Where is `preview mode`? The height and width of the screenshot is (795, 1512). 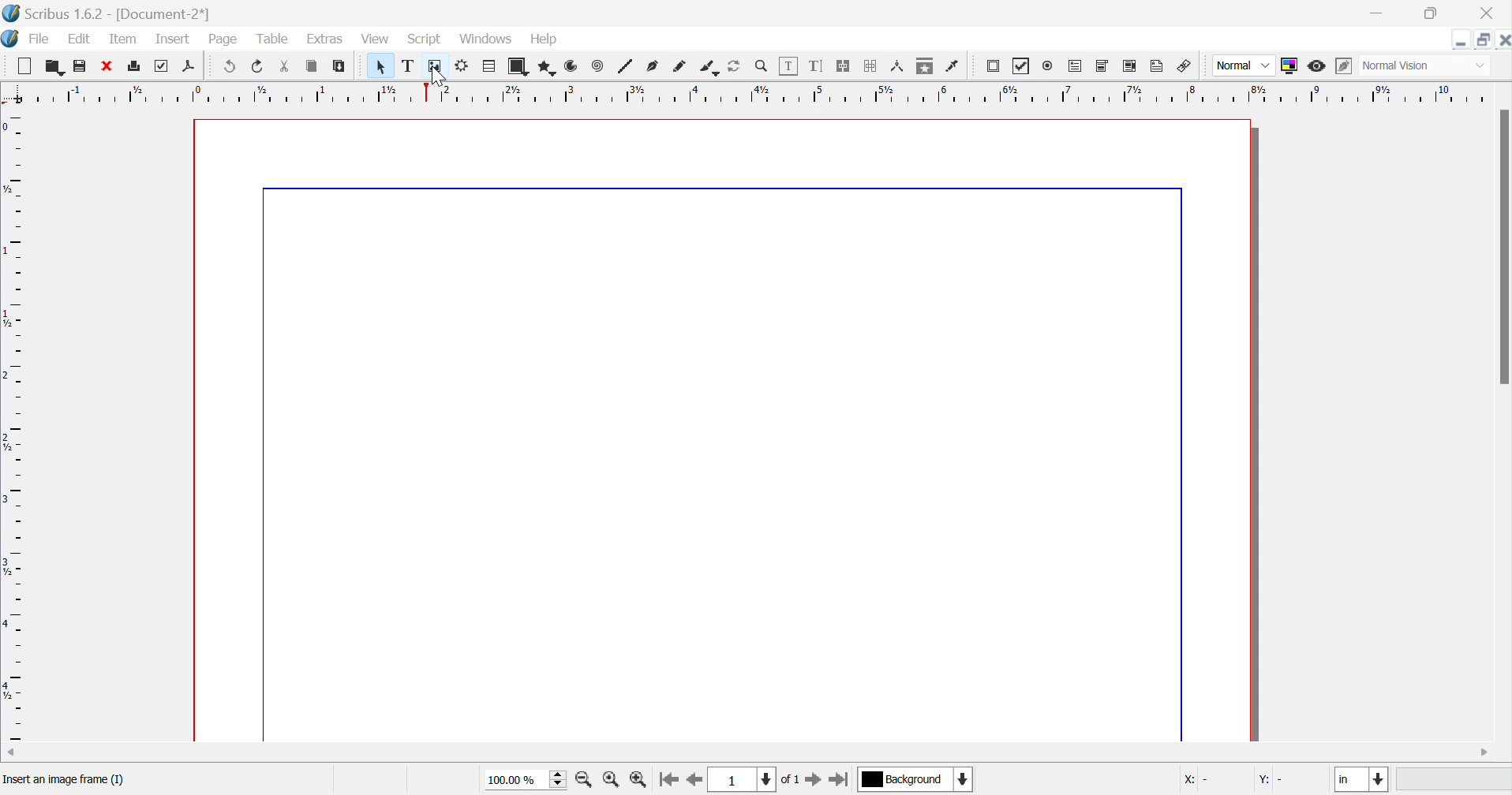 preview mode is located at coordinates (1319, 66).